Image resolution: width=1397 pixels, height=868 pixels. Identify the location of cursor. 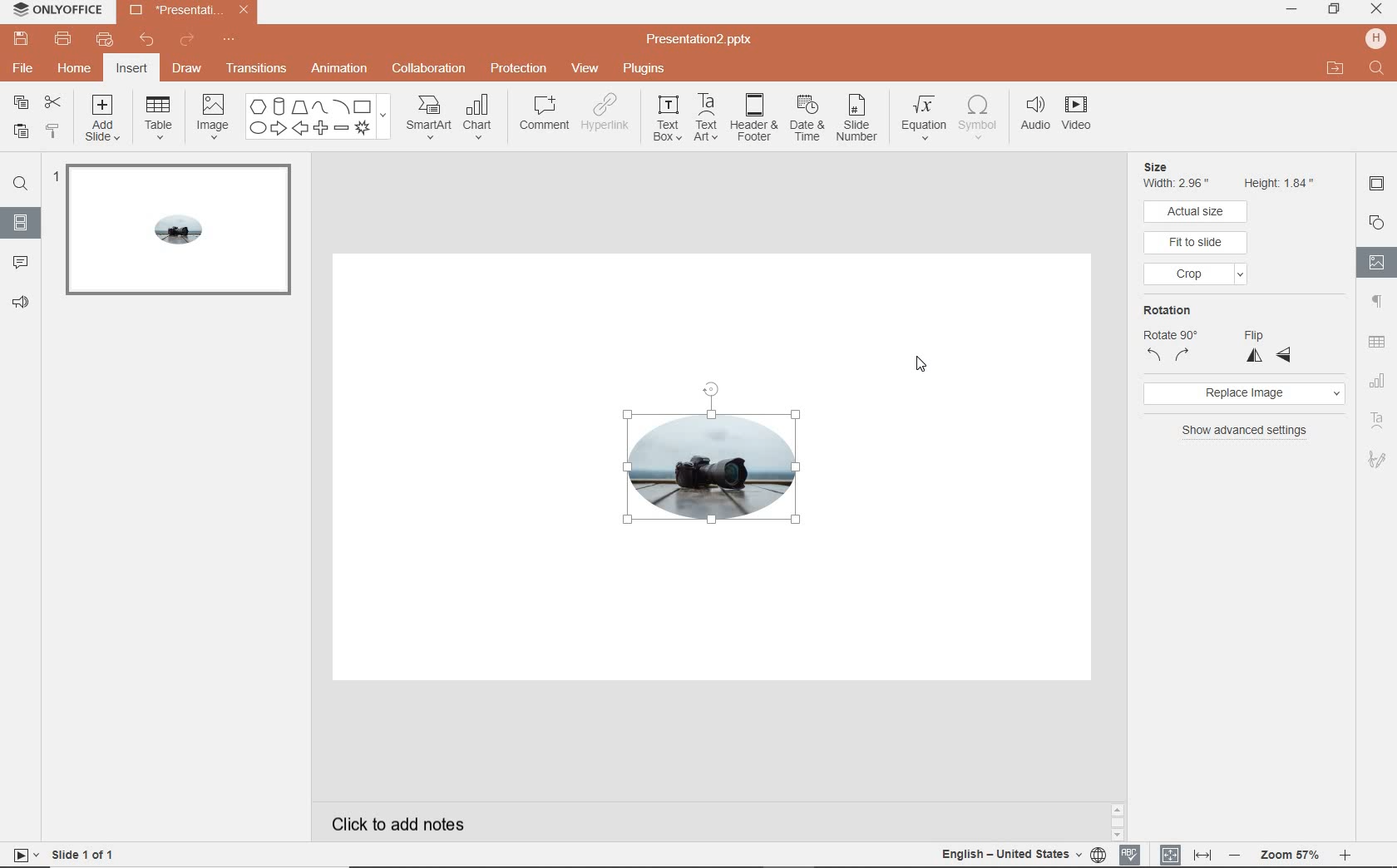
(920, 367).